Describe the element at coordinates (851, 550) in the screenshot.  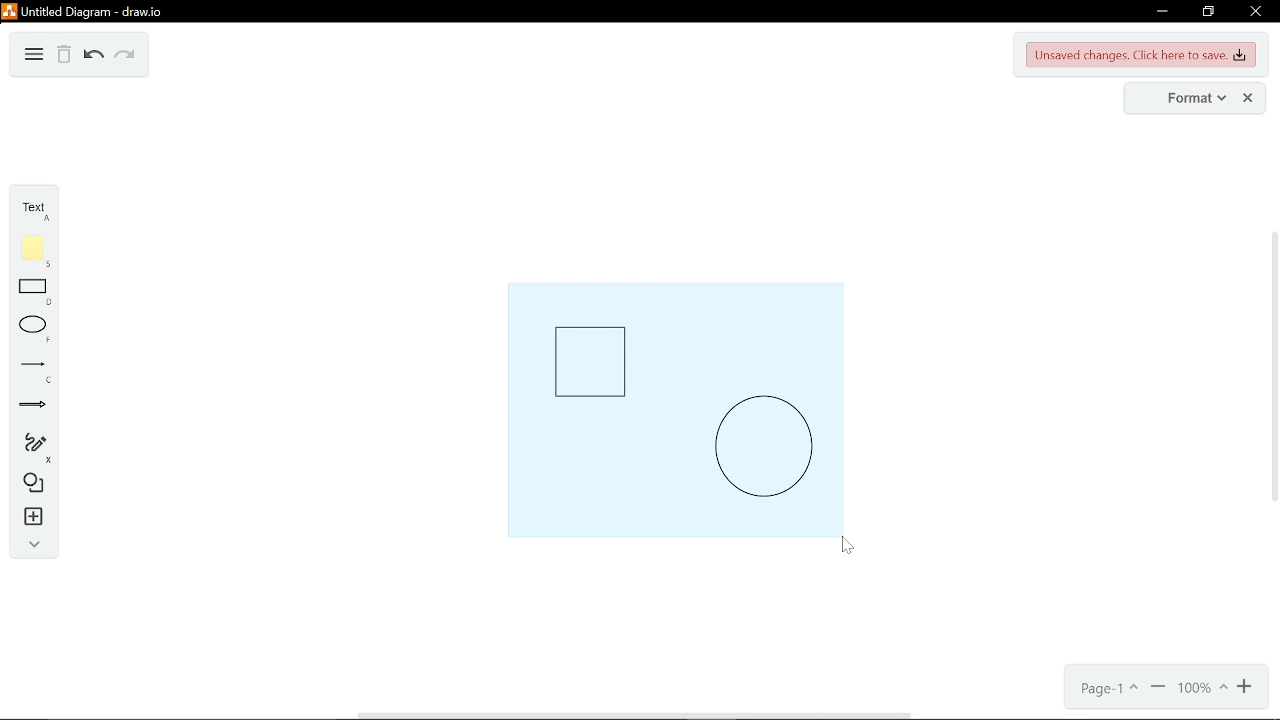
I see `Cursor` at that location.